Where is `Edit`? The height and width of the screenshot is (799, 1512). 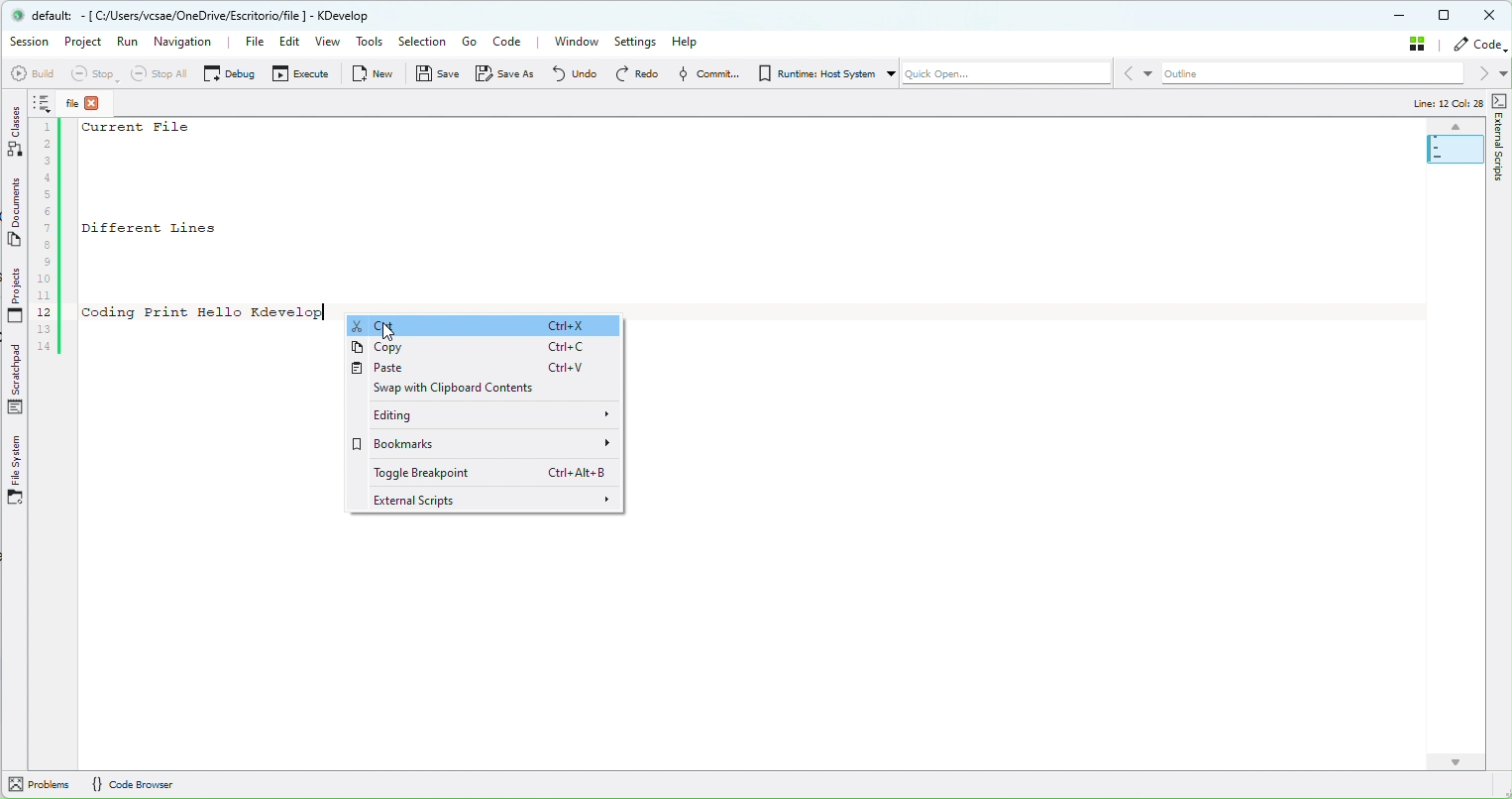
Edit is located at coordinates (289, 44).